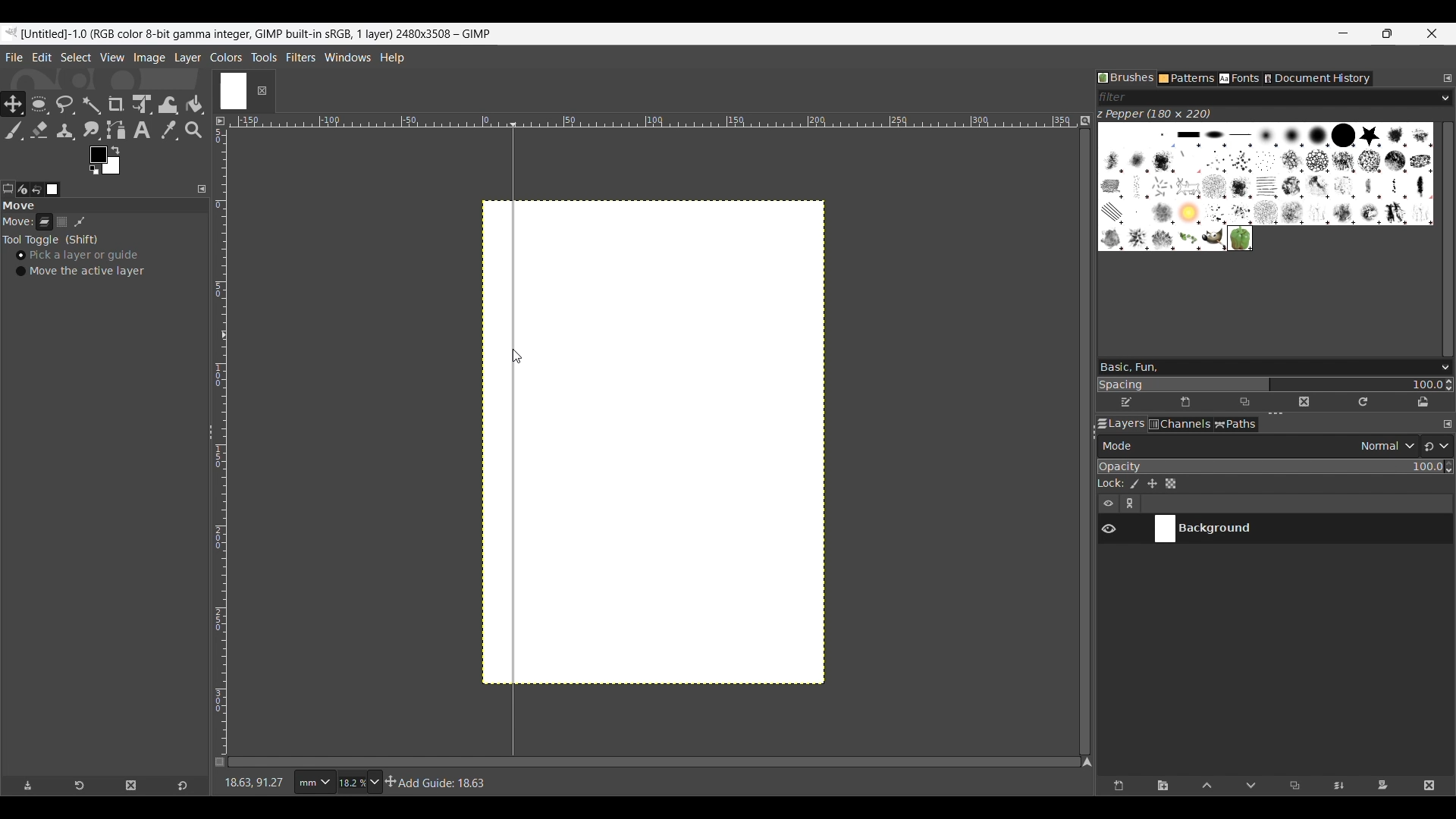  What do you see at coordinates (50, 240) in the screenshot?
I see `Tool toggle options` at bounding box center [50, 240].